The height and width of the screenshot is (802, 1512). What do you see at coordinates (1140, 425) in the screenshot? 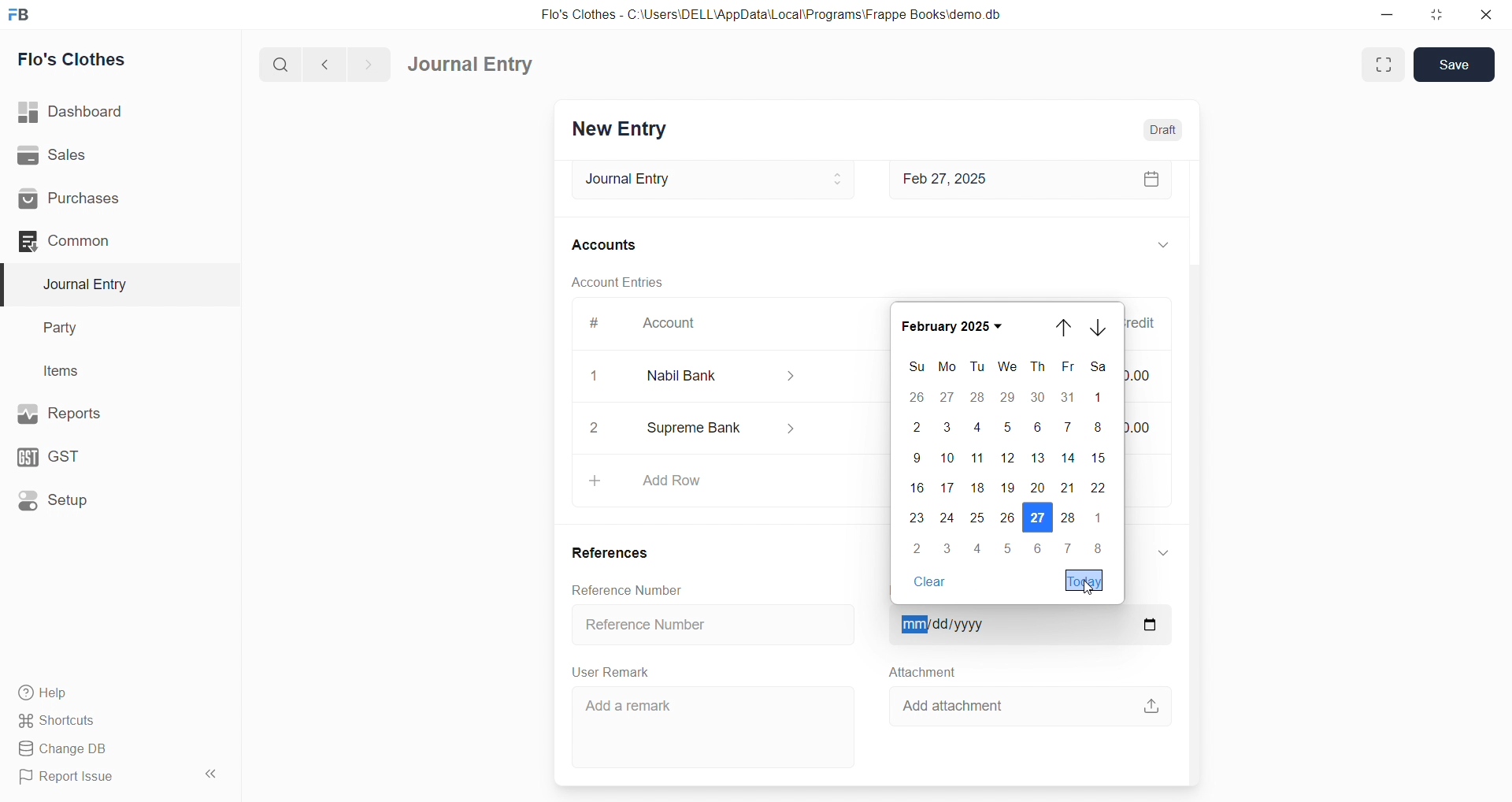
I see `₹55,000.00` at bounding box center [1140, 425].